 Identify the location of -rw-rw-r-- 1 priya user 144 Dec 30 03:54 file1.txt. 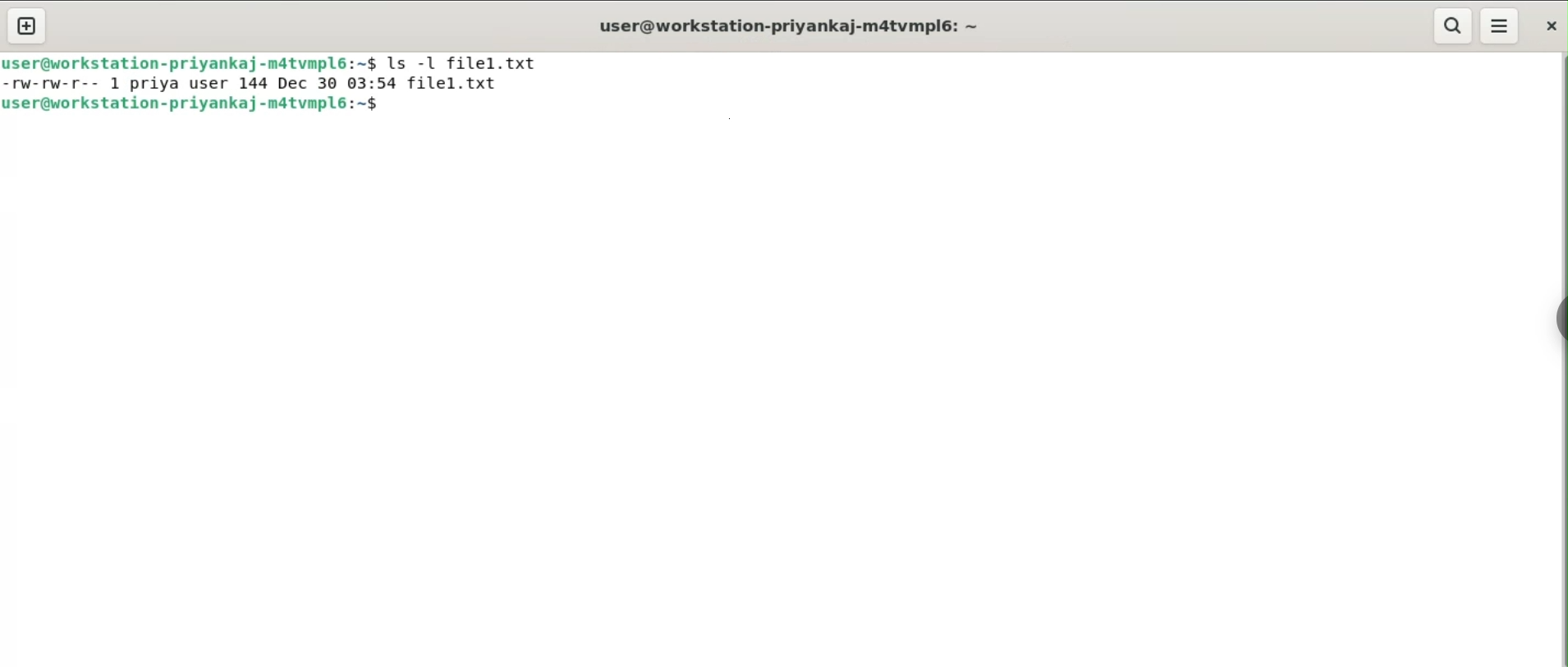
(253, 85).